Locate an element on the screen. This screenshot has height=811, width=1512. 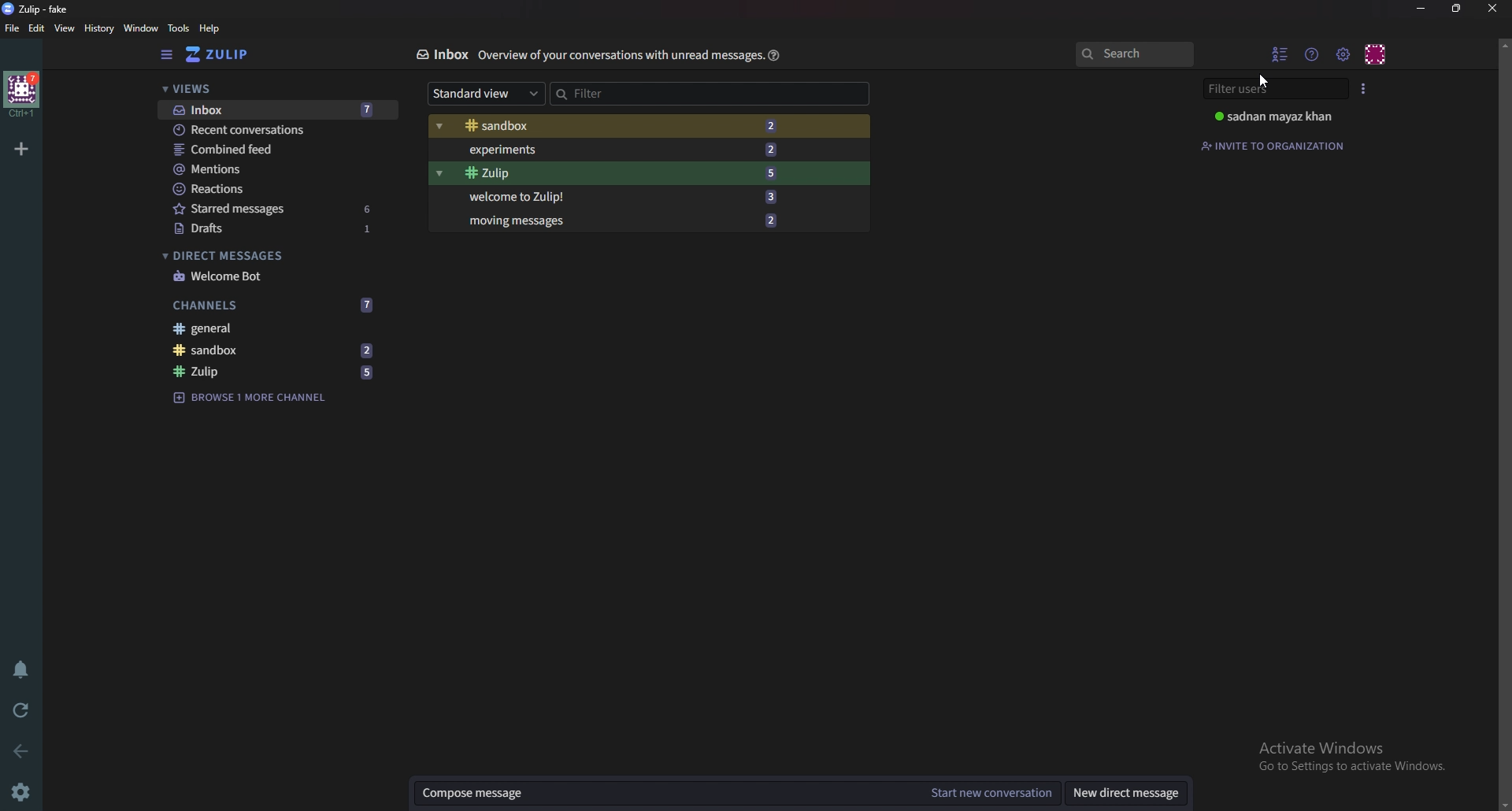
home is located at coordinates (22, 94).